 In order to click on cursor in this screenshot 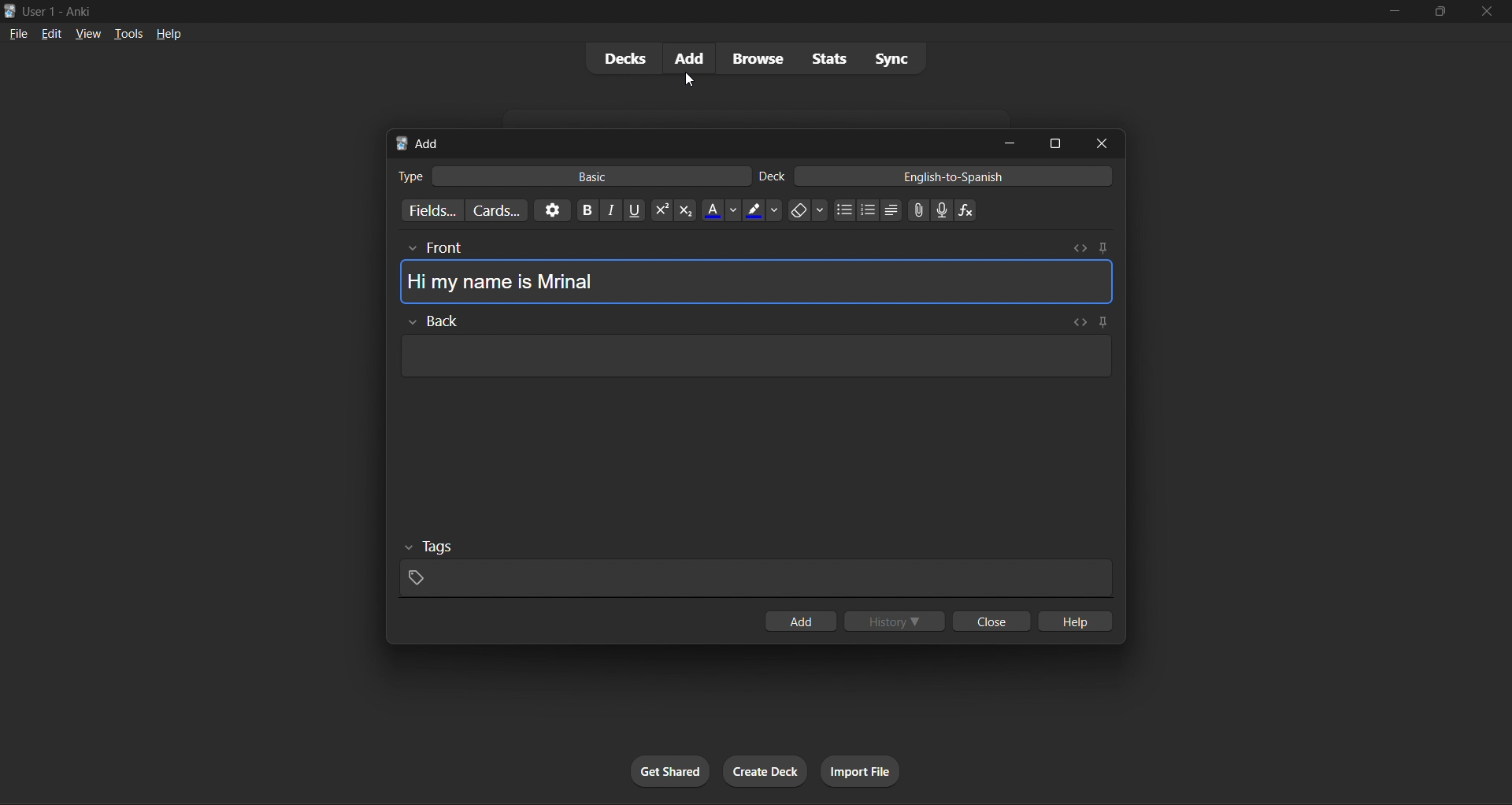, I will do `click(691, 78)`.